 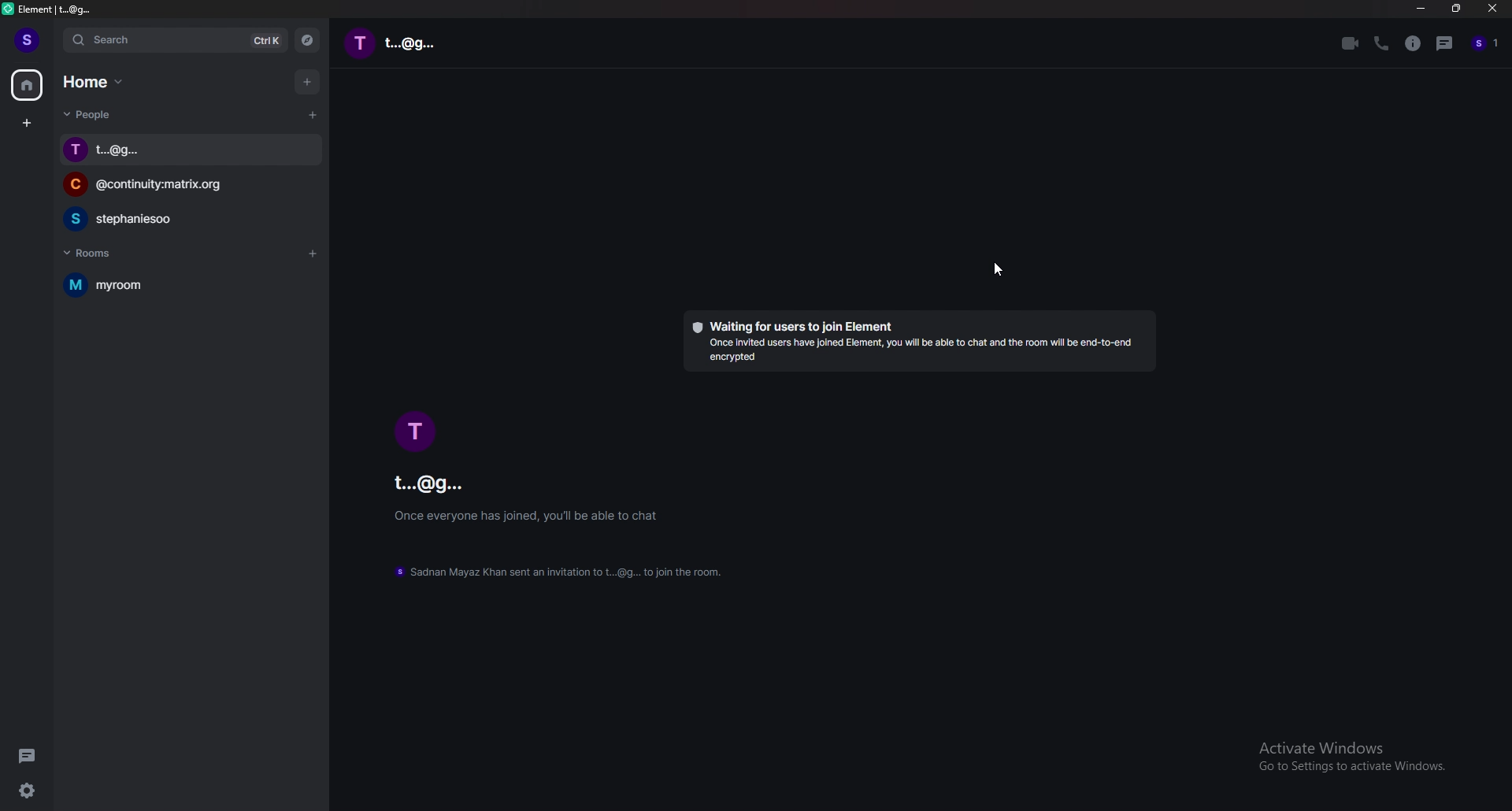 I want to click on chat, so click(x=169, y=150).